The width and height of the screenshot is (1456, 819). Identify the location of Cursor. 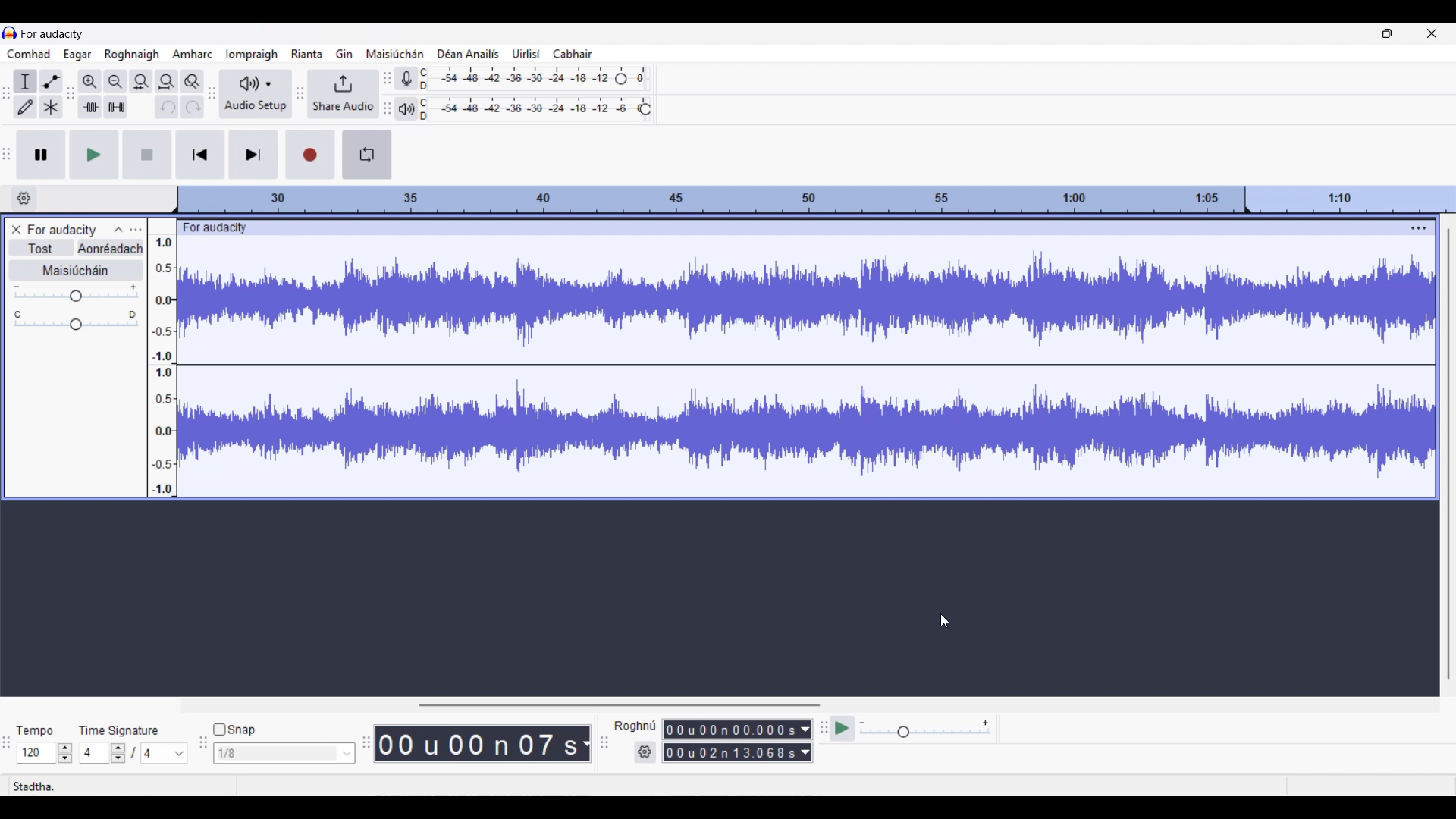
(944, 623).